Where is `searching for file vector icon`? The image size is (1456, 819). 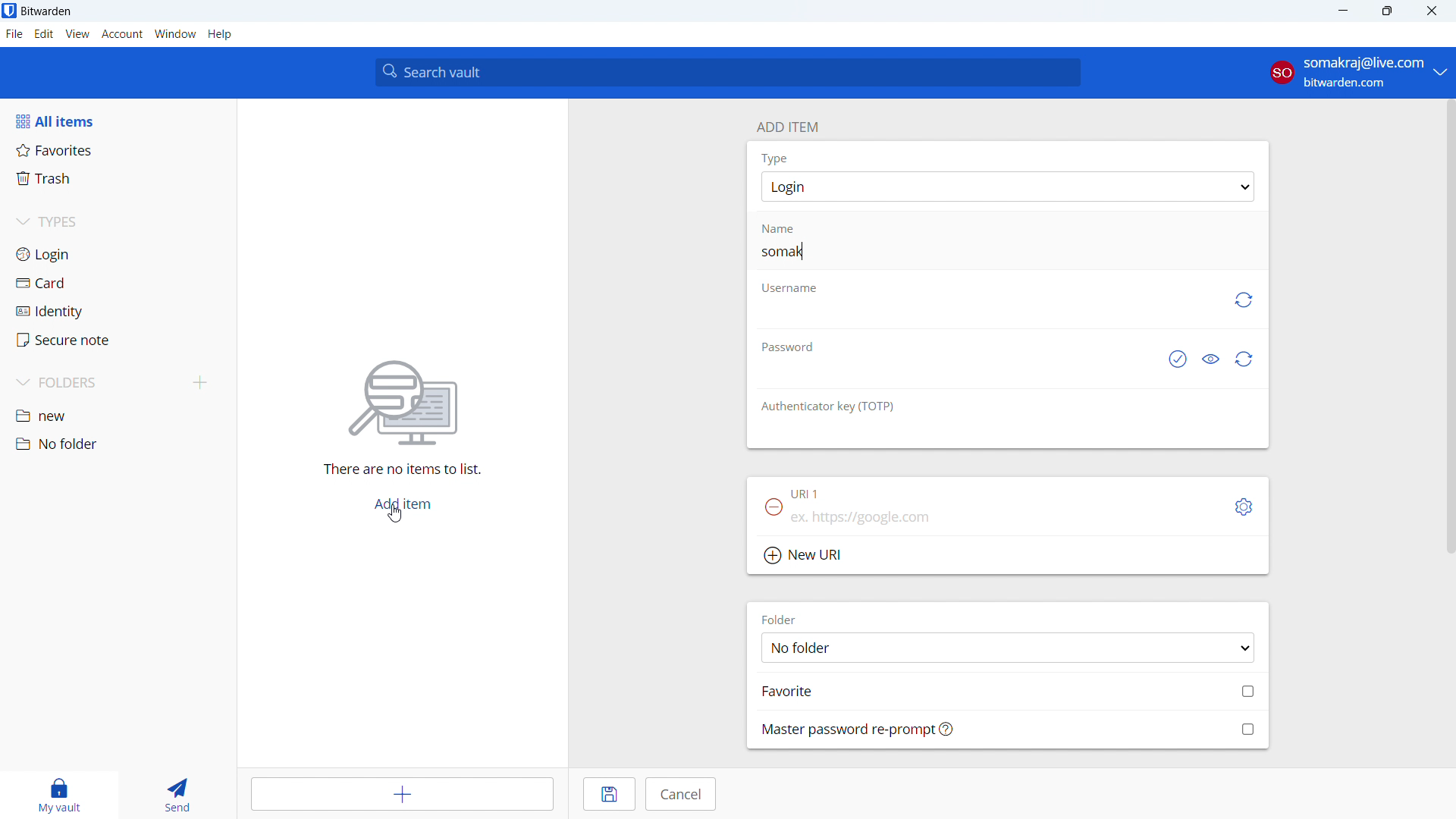
searching for file vector icon is located at coordinates (402, 403).